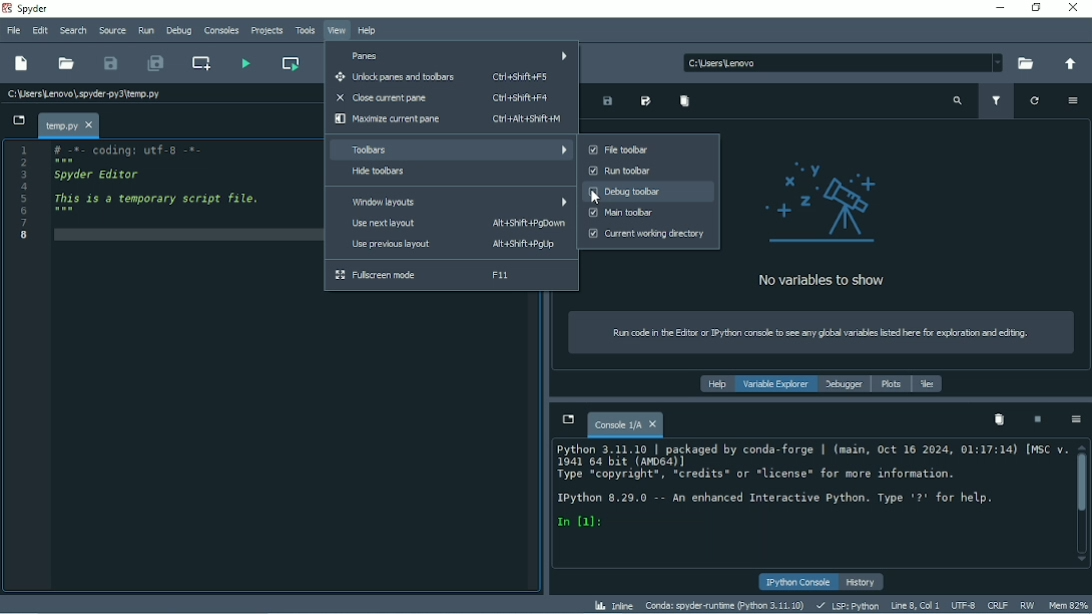 This screenshot has width=1092, height=614. I want to click on Help, so click(367, 31).